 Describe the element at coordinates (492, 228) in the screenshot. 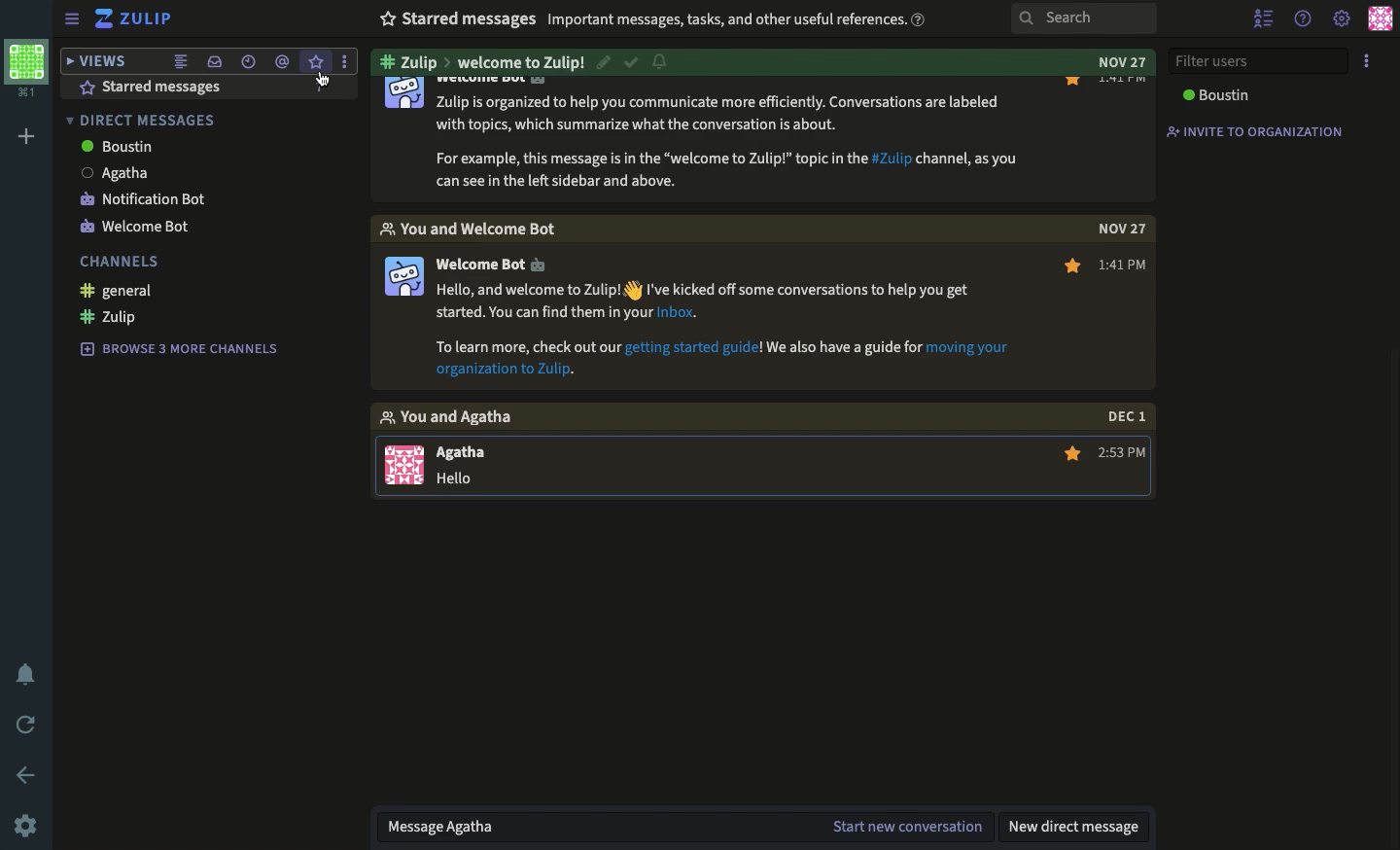

I see `you and welcome bot` at that location.